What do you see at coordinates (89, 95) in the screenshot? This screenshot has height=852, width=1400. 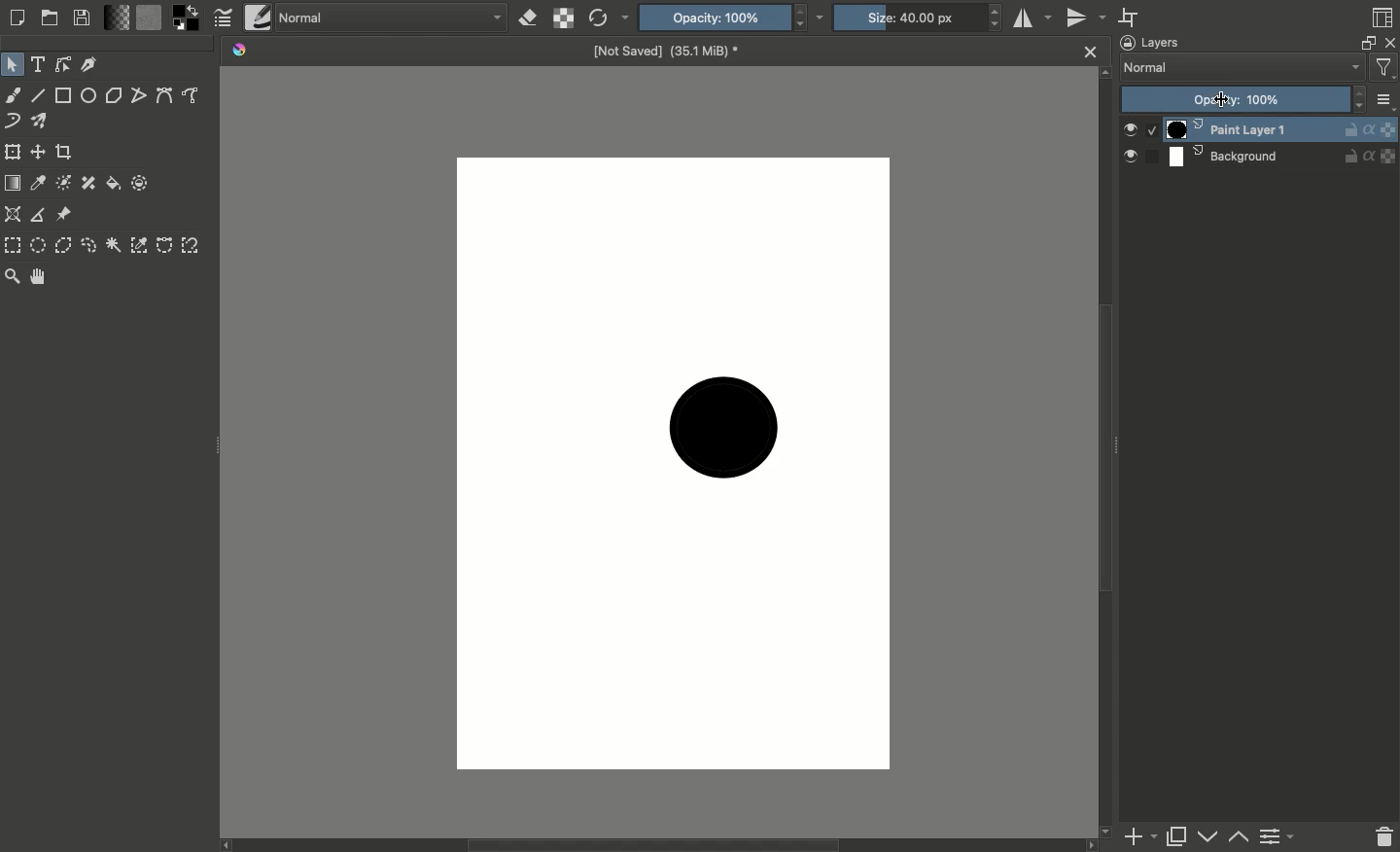 I see `Ellipse` at bounding box center [89, 95].